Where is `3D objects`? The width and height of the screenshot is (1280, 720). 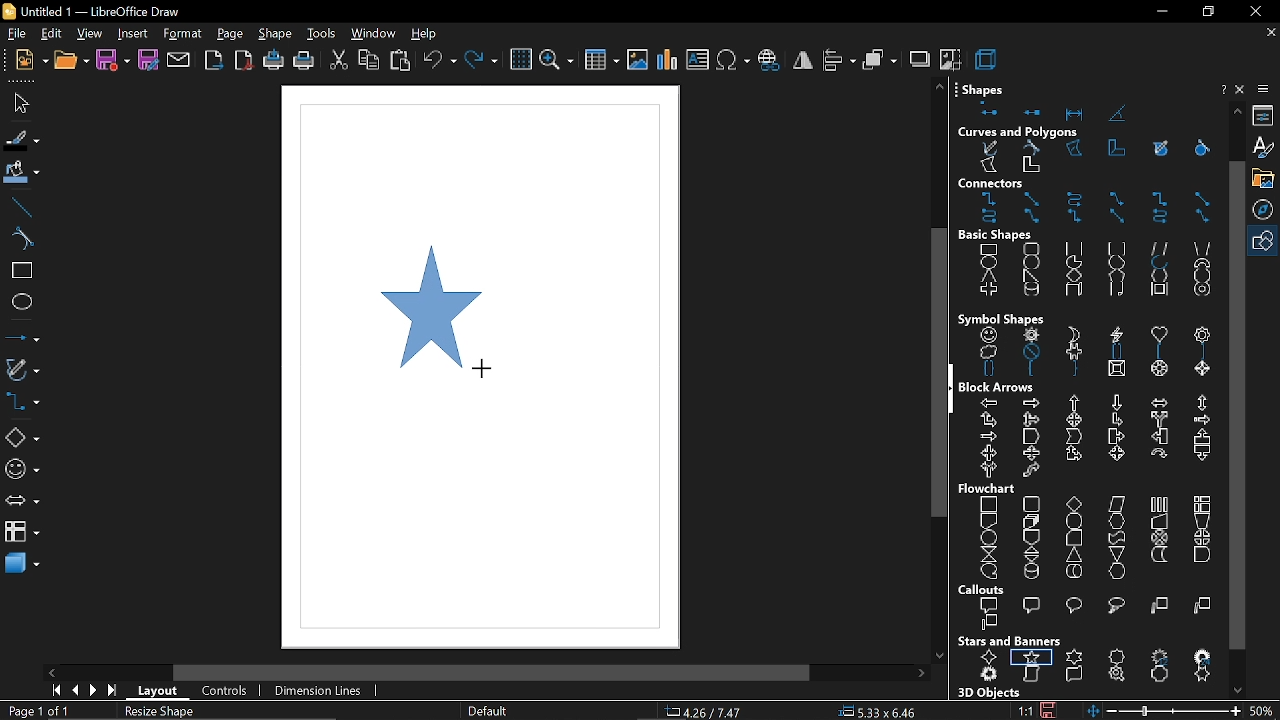 3D objects is located at coordinates (991, 691).